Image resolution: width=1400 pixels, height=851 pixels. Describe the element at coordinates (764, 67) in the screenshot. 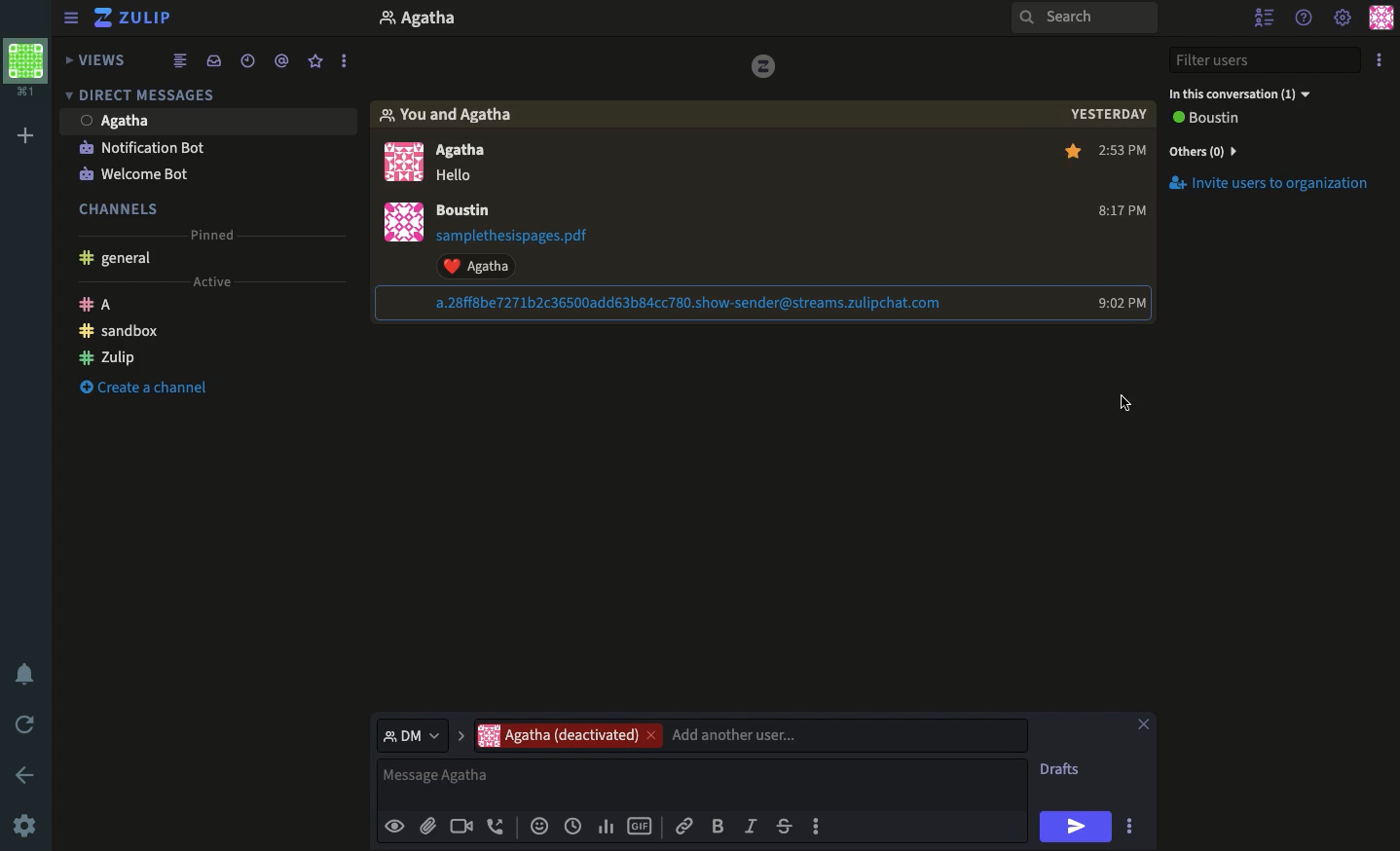

I see `zulip logo` at that location.